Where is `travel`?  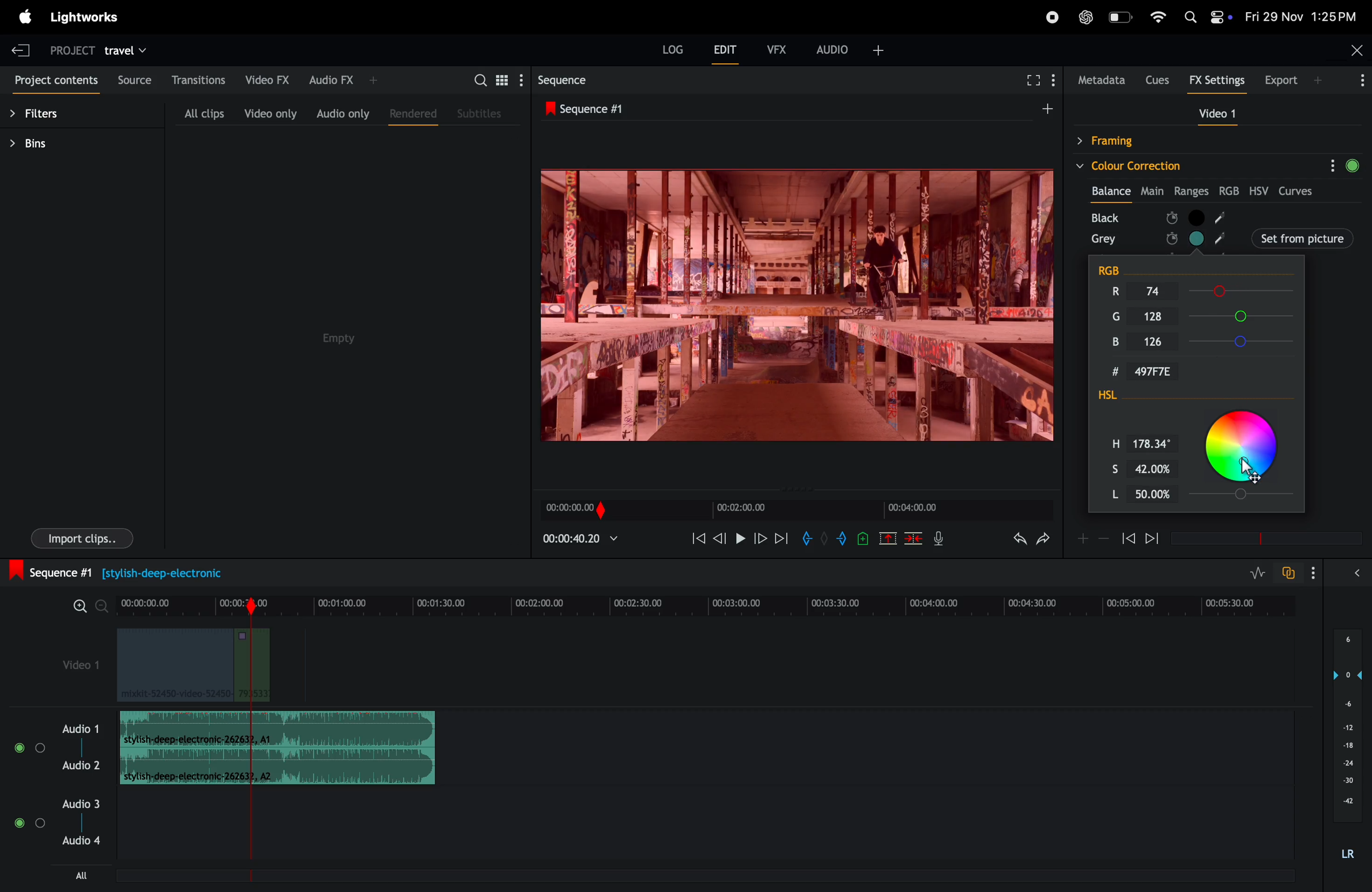
travel is located at coordinates (128, 50).